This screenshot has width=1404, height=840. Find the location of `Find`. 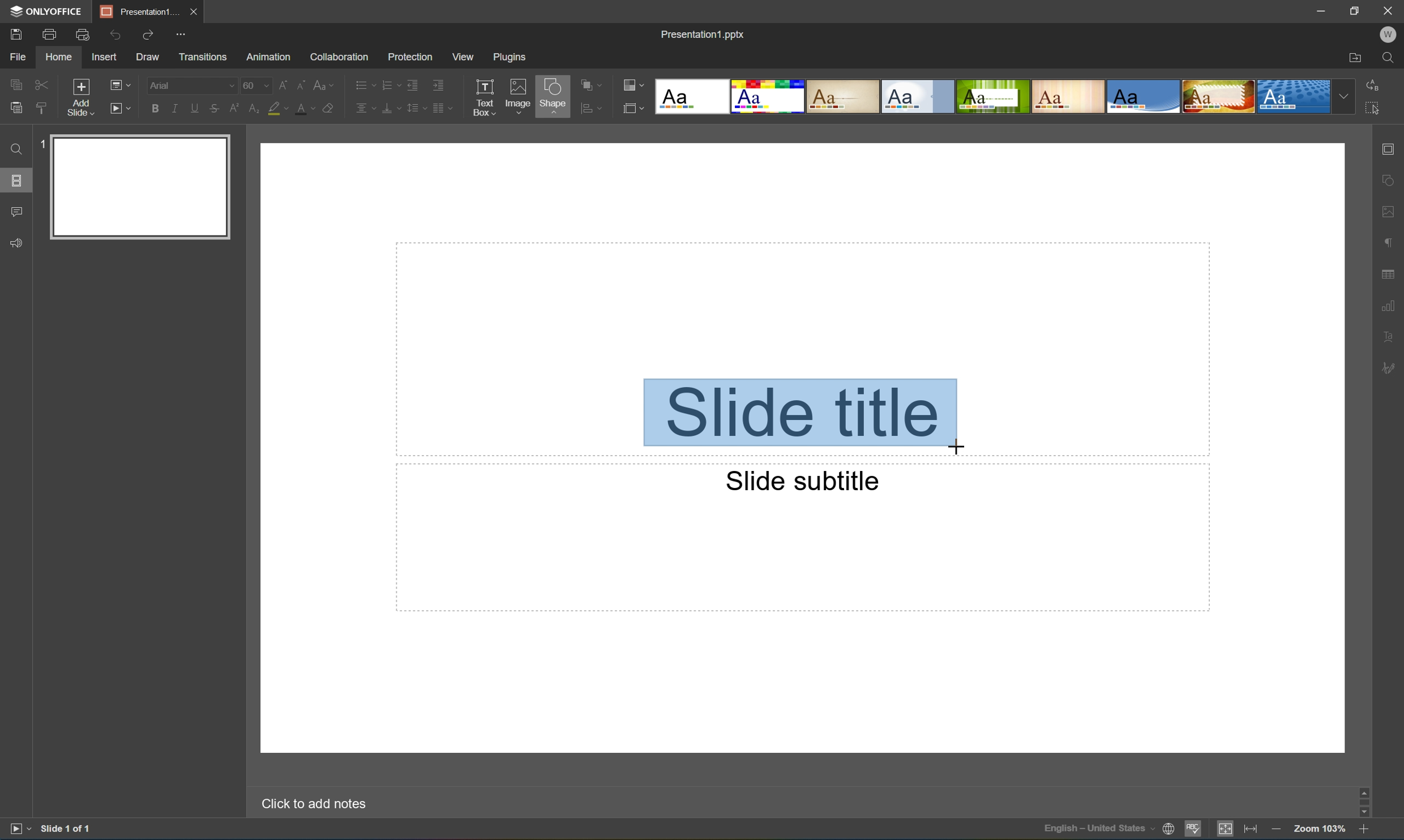

Find is located at coordinates (1388, 58).